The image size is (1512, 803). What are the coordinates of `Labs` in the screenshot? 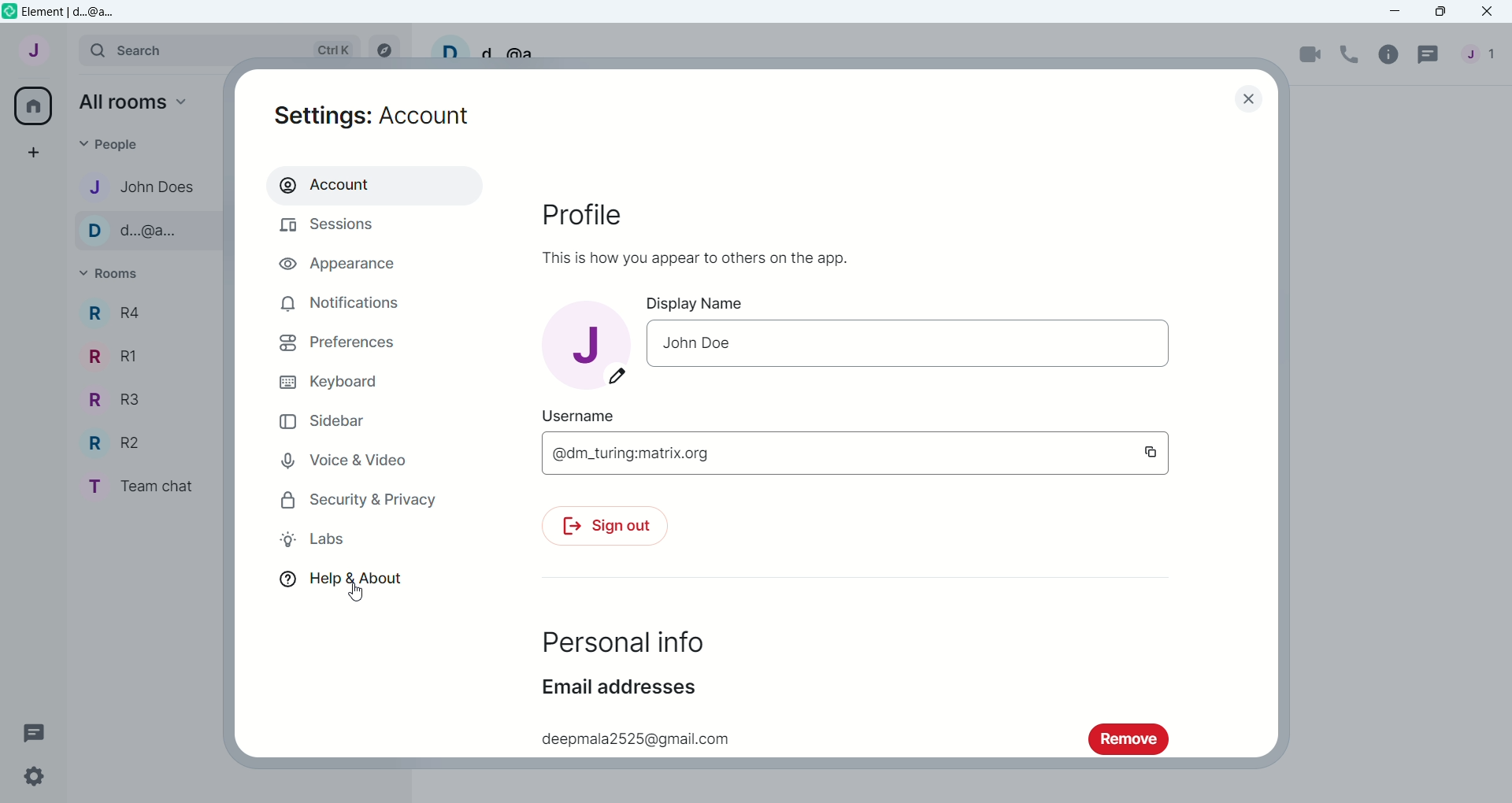 It's located at (320, 541).